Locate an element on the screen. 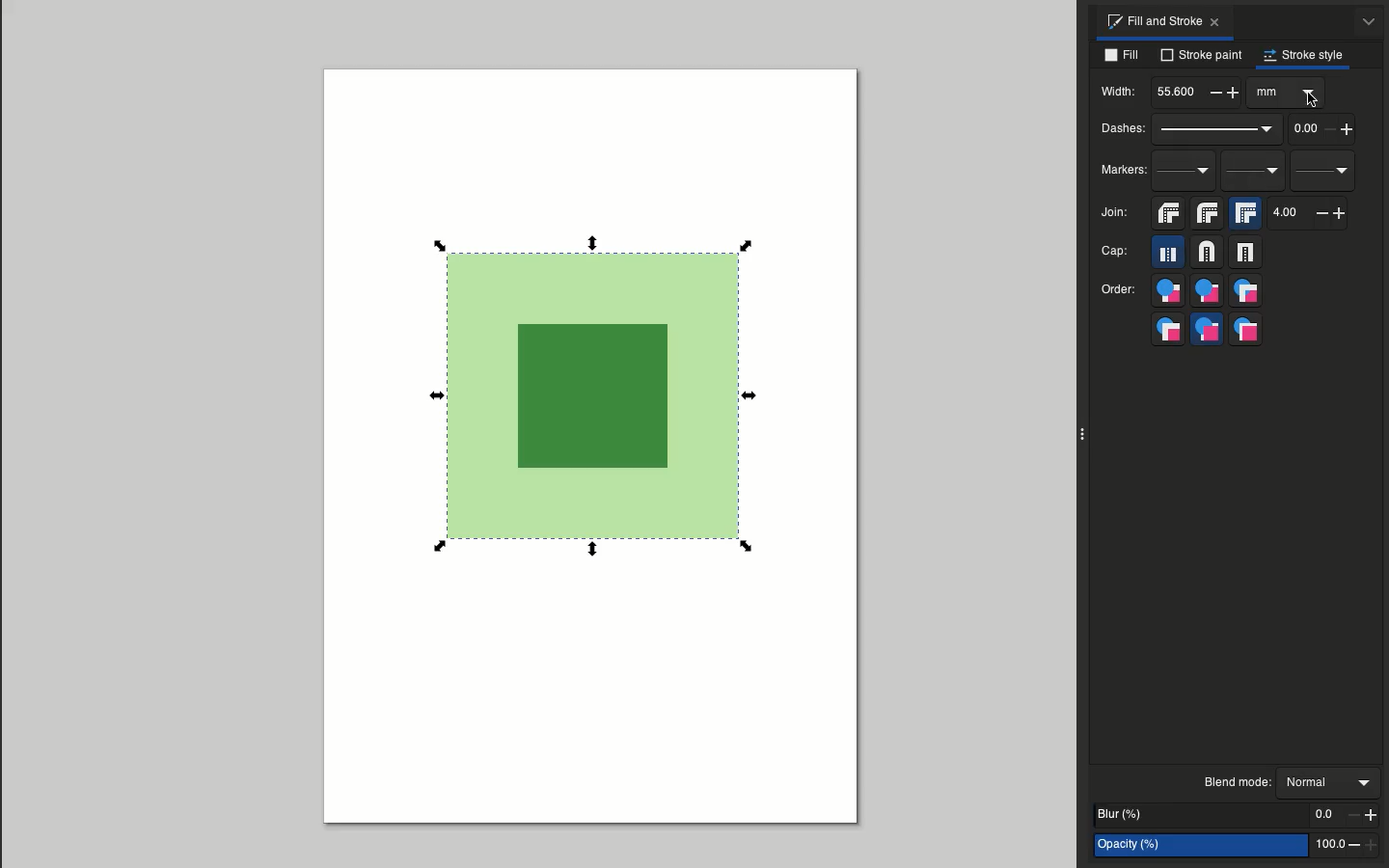 The height and width of the screenshot is (868, 1389). Square cap is located at coordinates (1249, 253).